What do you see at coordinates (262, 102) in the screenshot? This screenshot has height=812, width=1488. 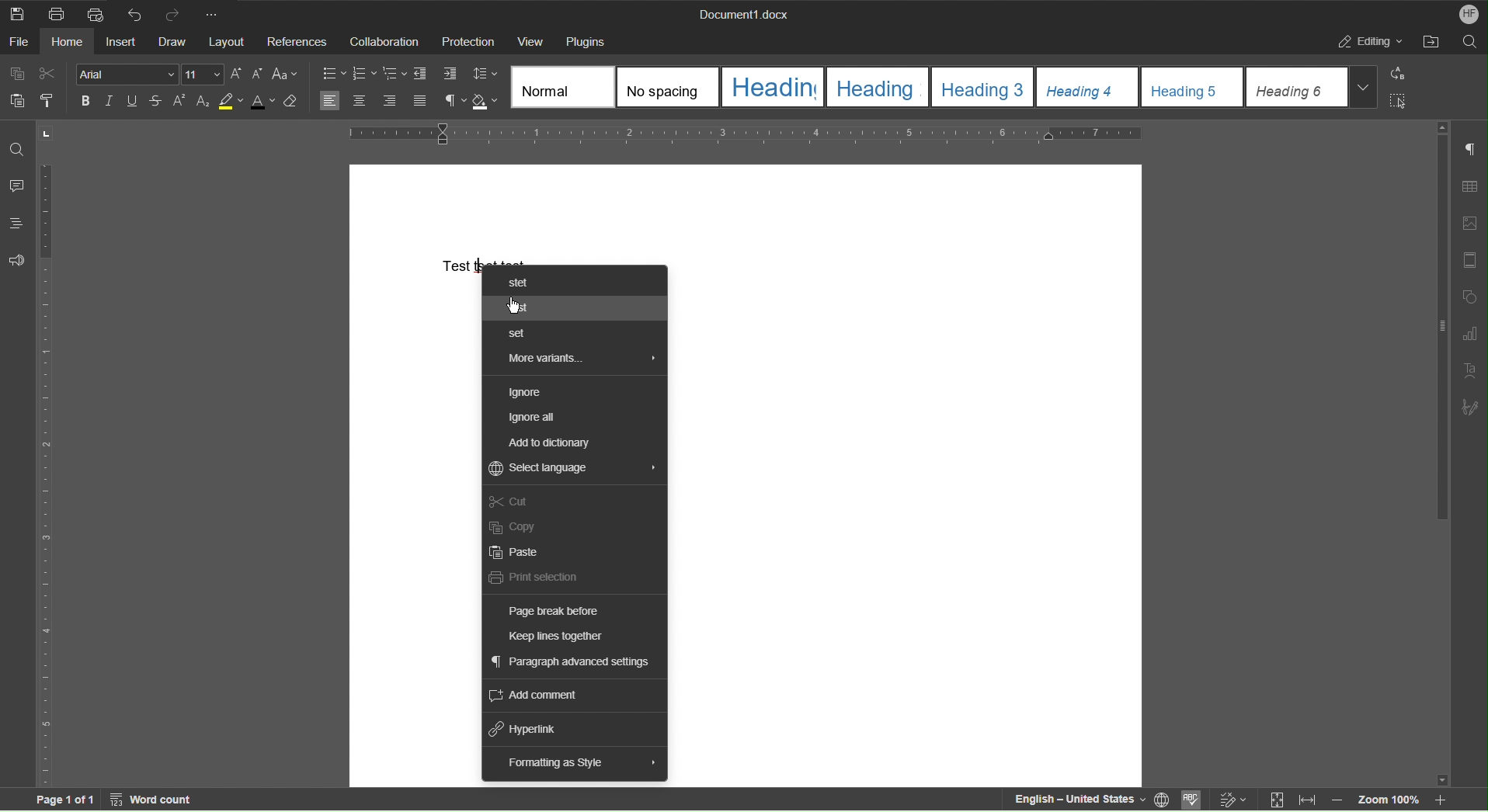 I see `Text Color` at bounding box center [262, 102].